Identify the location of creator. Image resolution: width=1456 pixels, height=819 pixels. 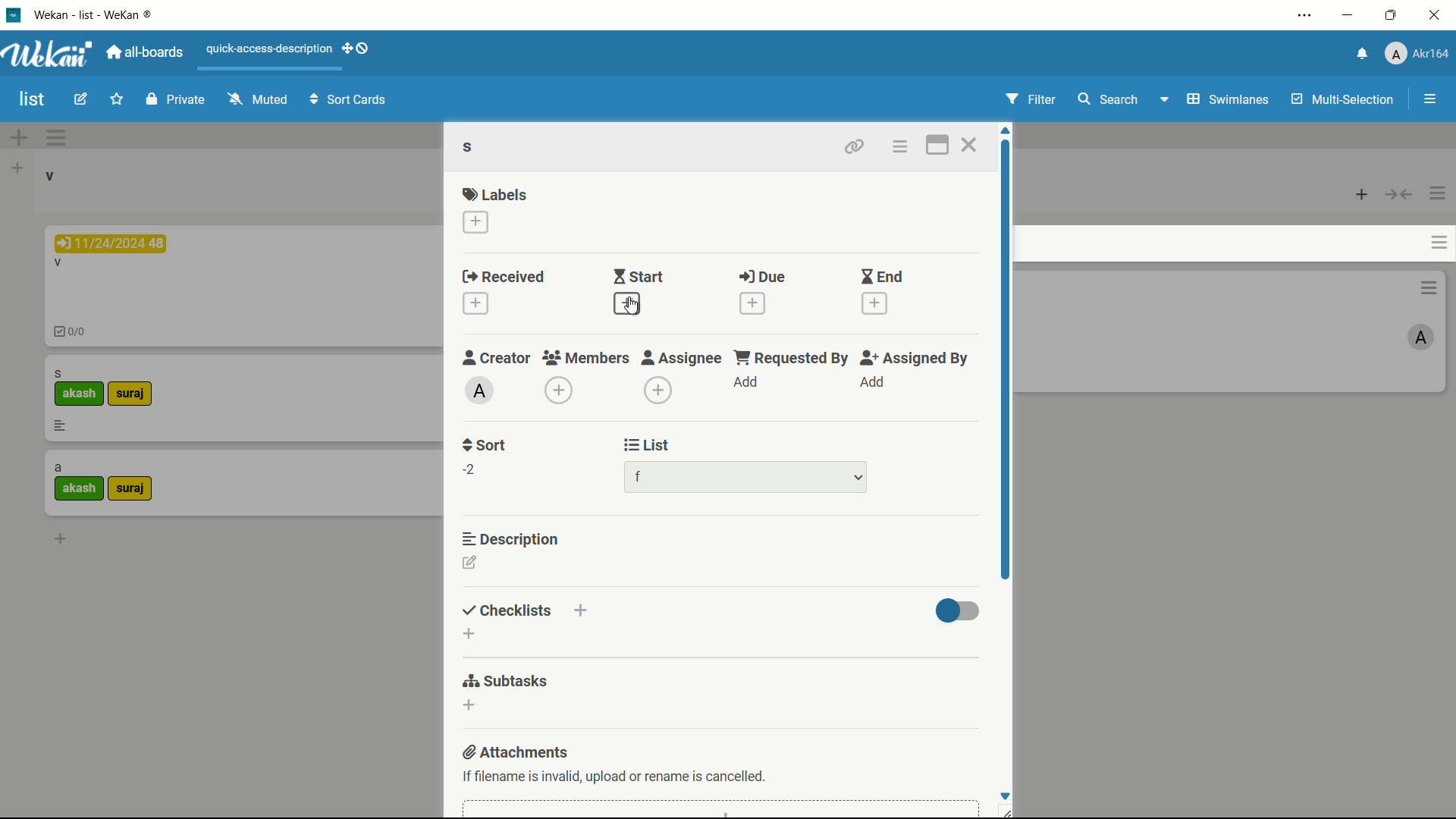
(493, 357).